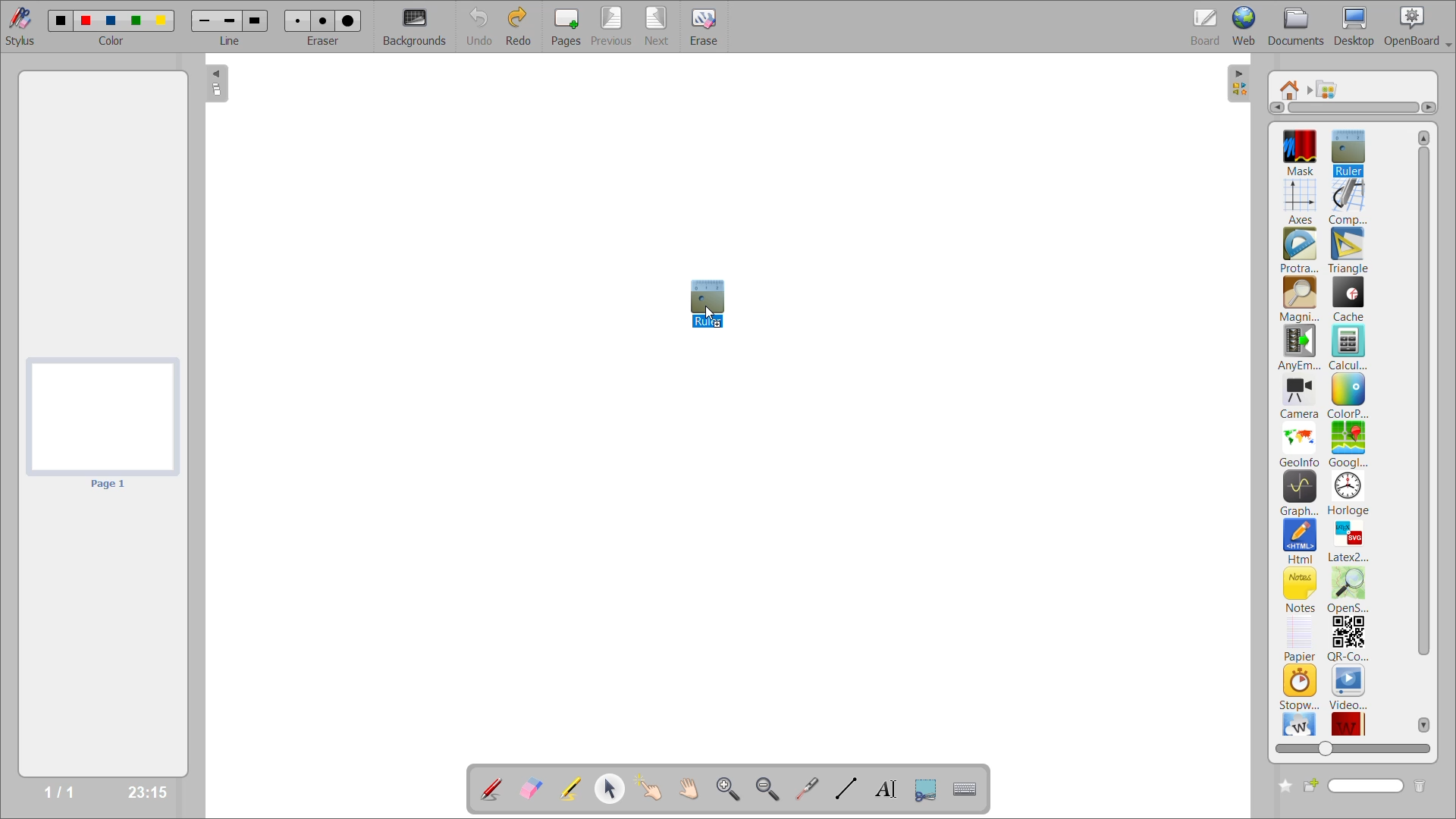 This screenshot has height=819, width=1456. Describe the element at coordinates (1349, 686) in the screenshot. I see `video` at that location.